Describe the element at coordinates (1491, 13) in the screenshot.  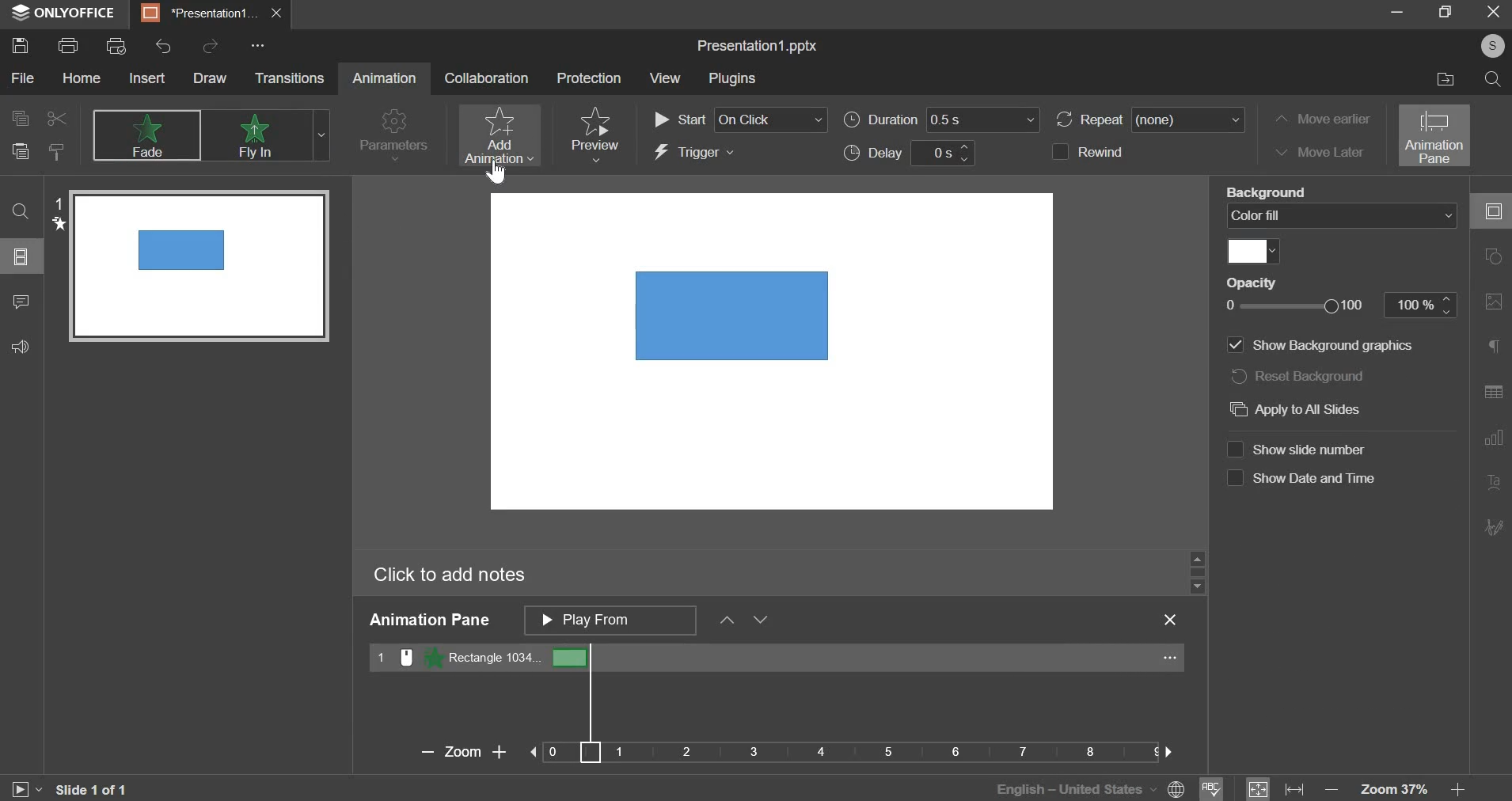
I see `exit` at that location.